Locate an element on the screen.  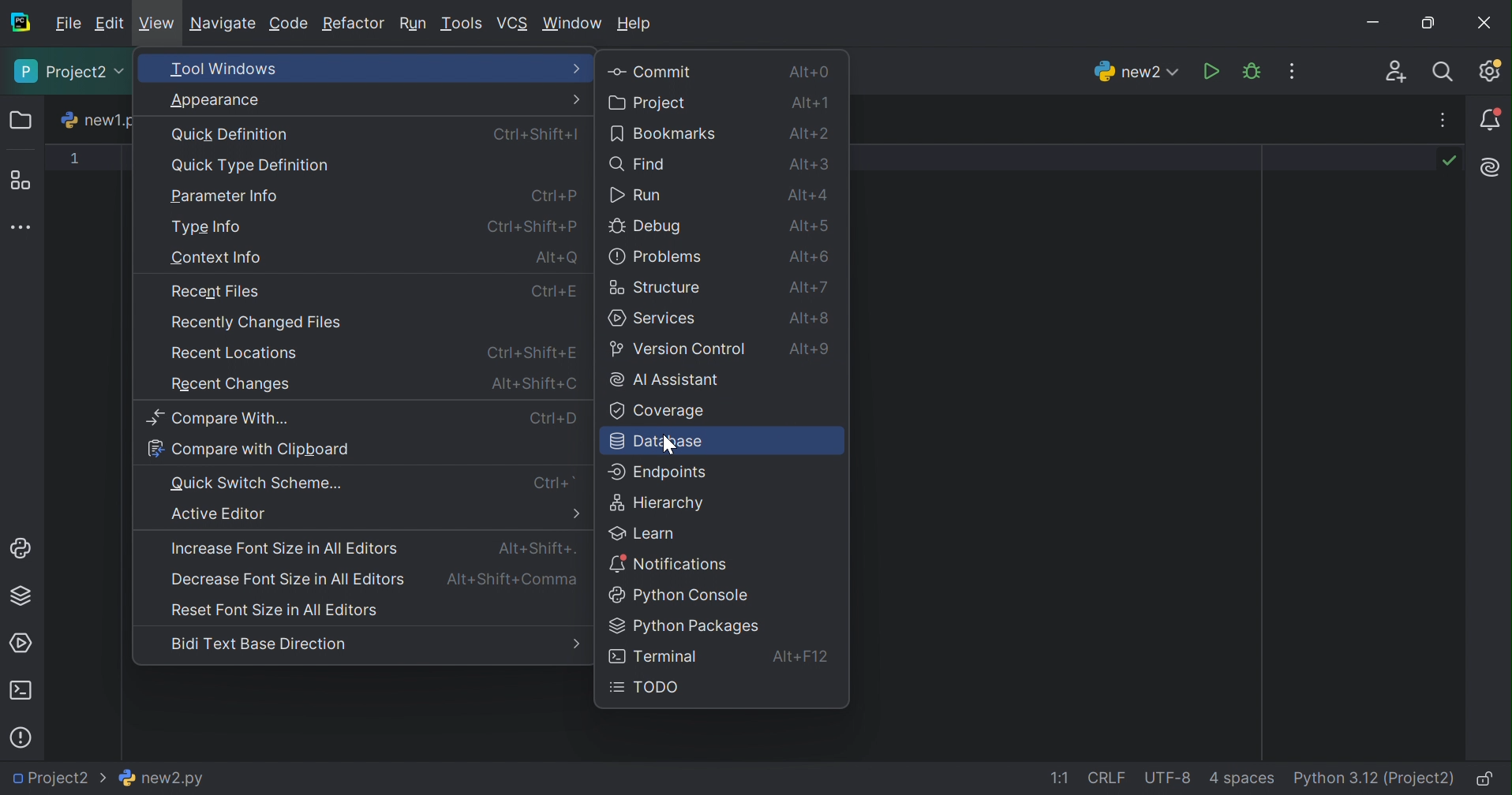
Bidi text base direction is located at coordinates (262, 643).